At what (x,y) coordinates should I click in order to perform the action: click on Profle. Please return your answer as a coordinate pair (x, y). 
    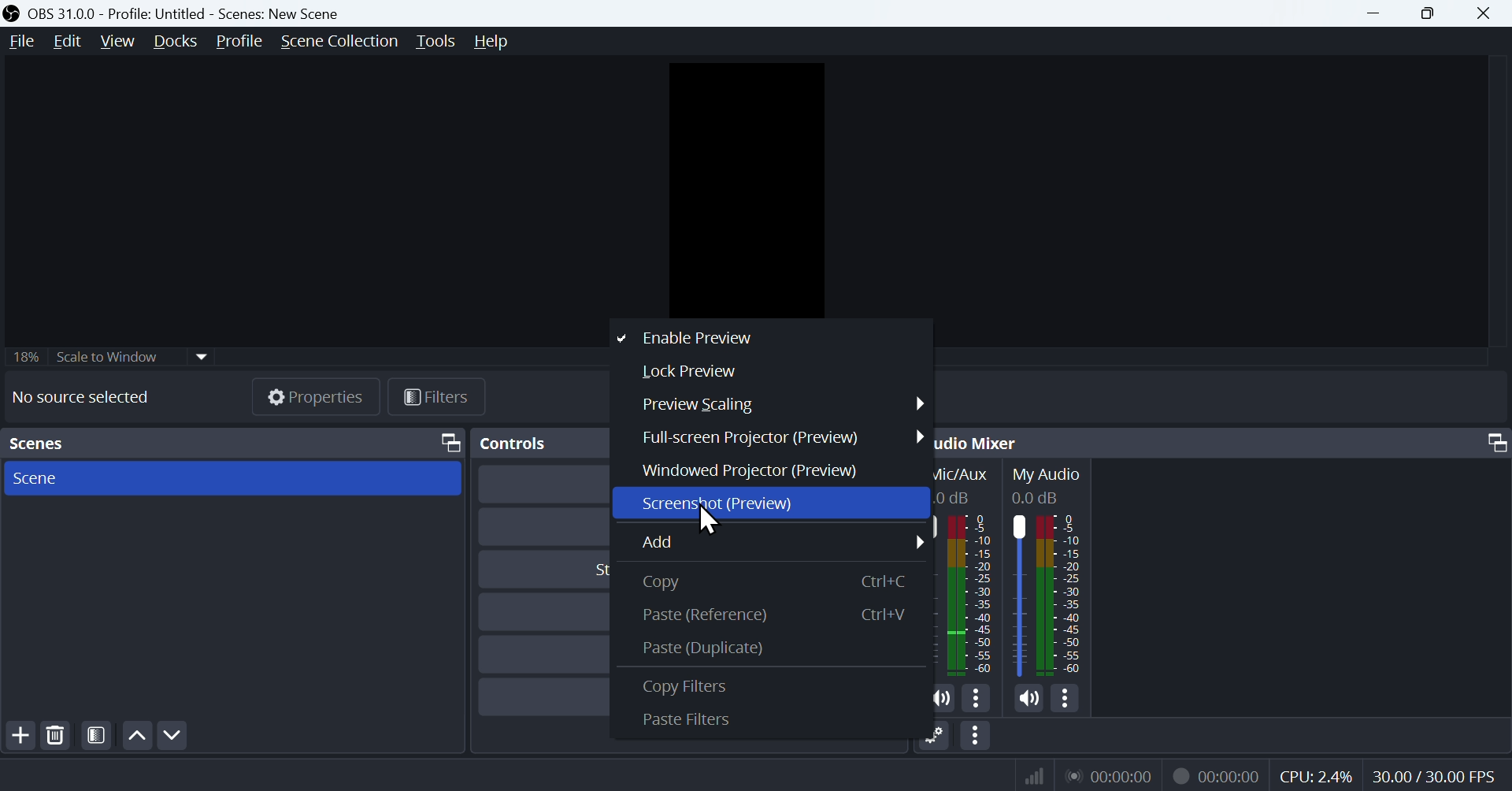
    Looking at the image, I should click on (237, 43).